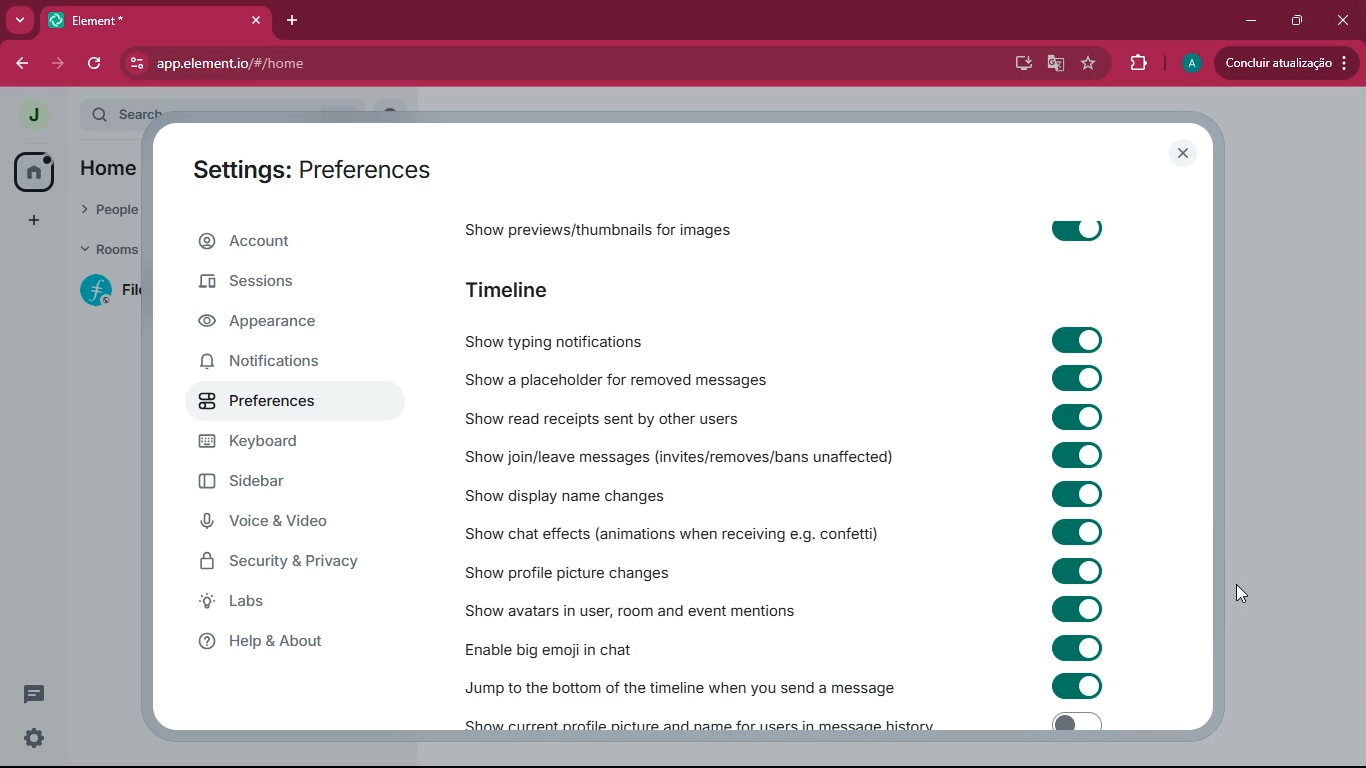 The image size is (1366, 768). Describe the element at coordinates (1089, 64) in the screenshot. I see `favourite` at that location.